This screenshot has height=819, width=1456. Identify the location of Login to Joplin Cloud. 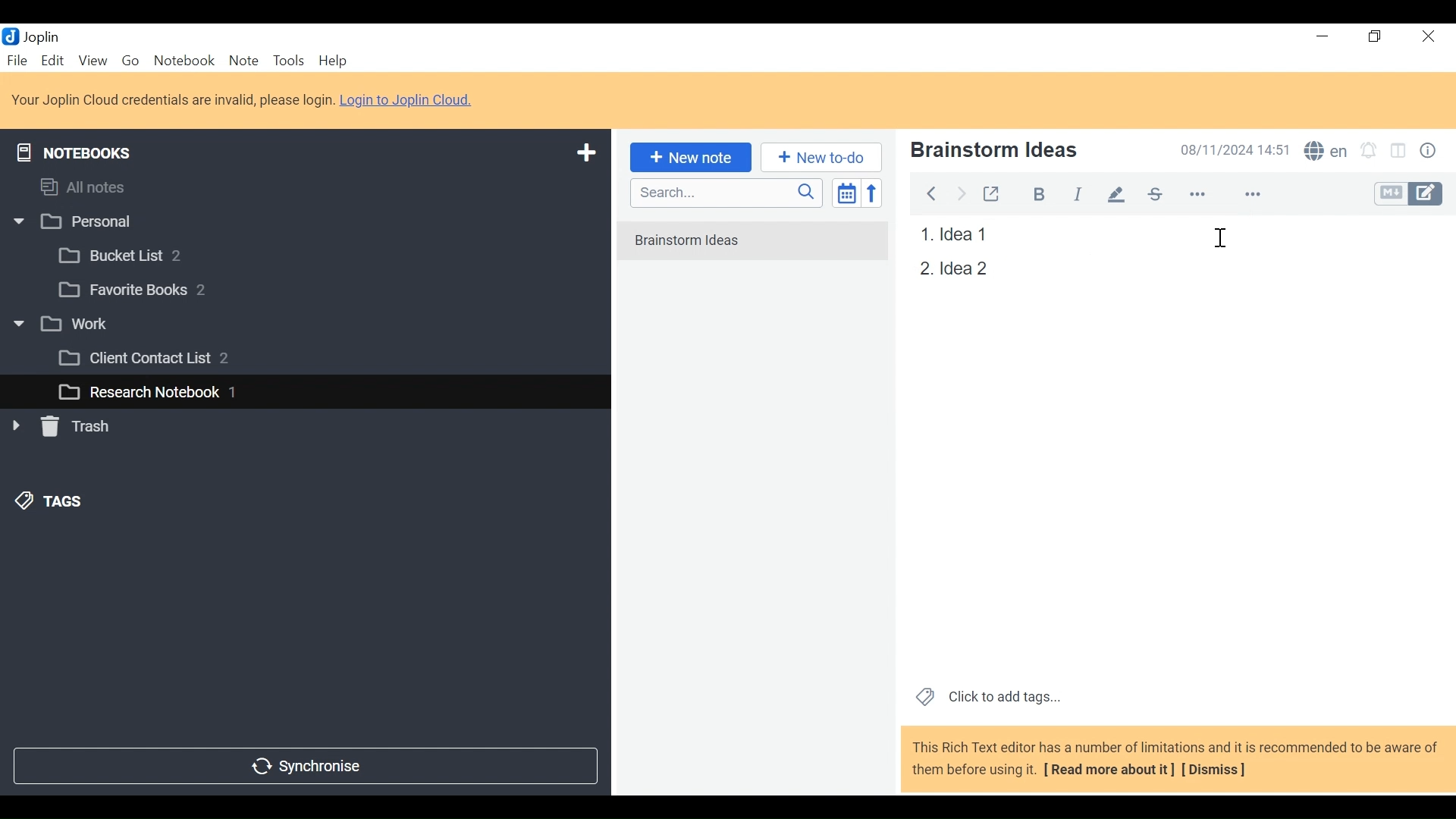
(172, 100).